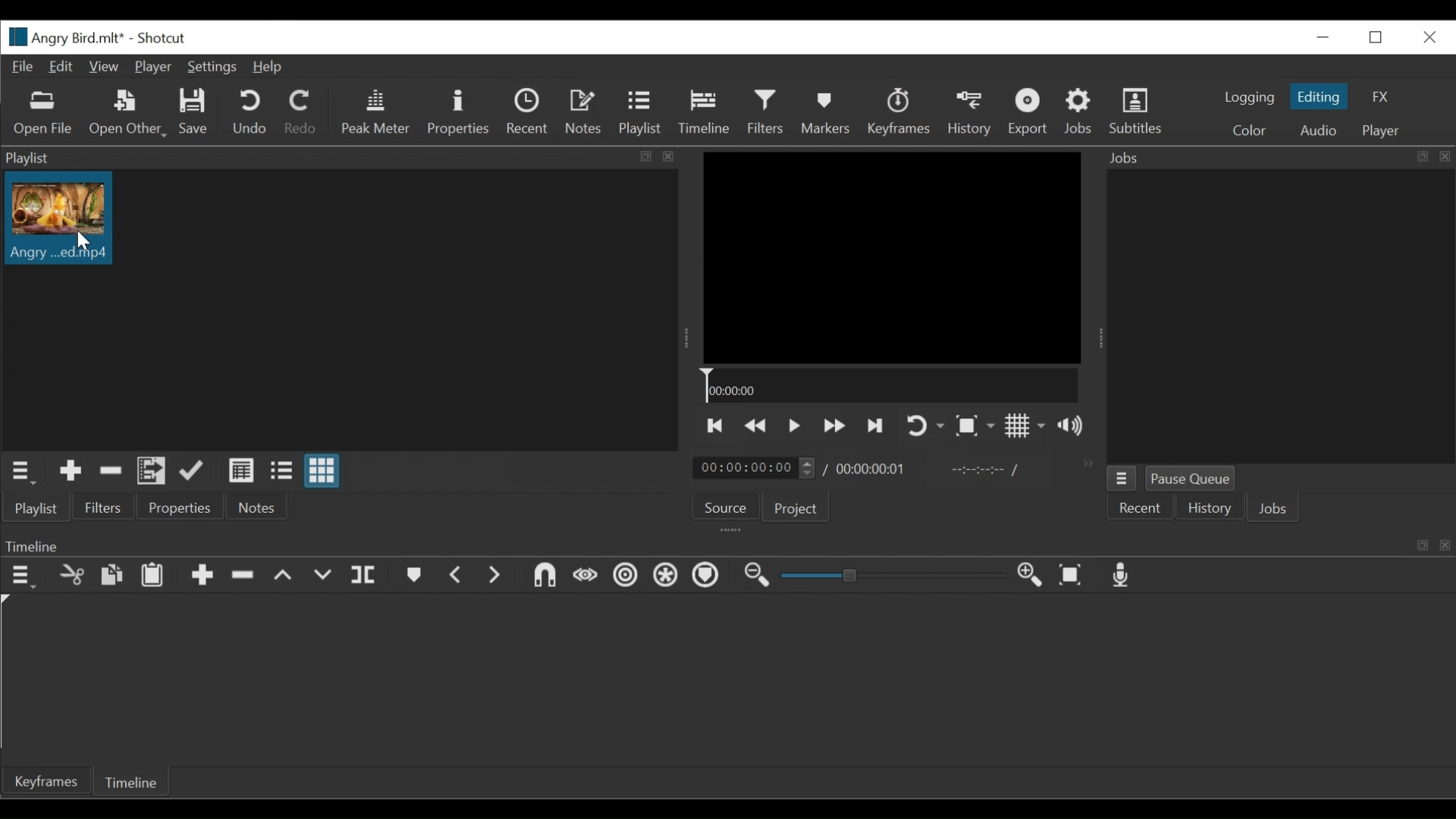 The height and width of the screenshot is (819, 1456). I want to click on Editing, so click(1321, 96).